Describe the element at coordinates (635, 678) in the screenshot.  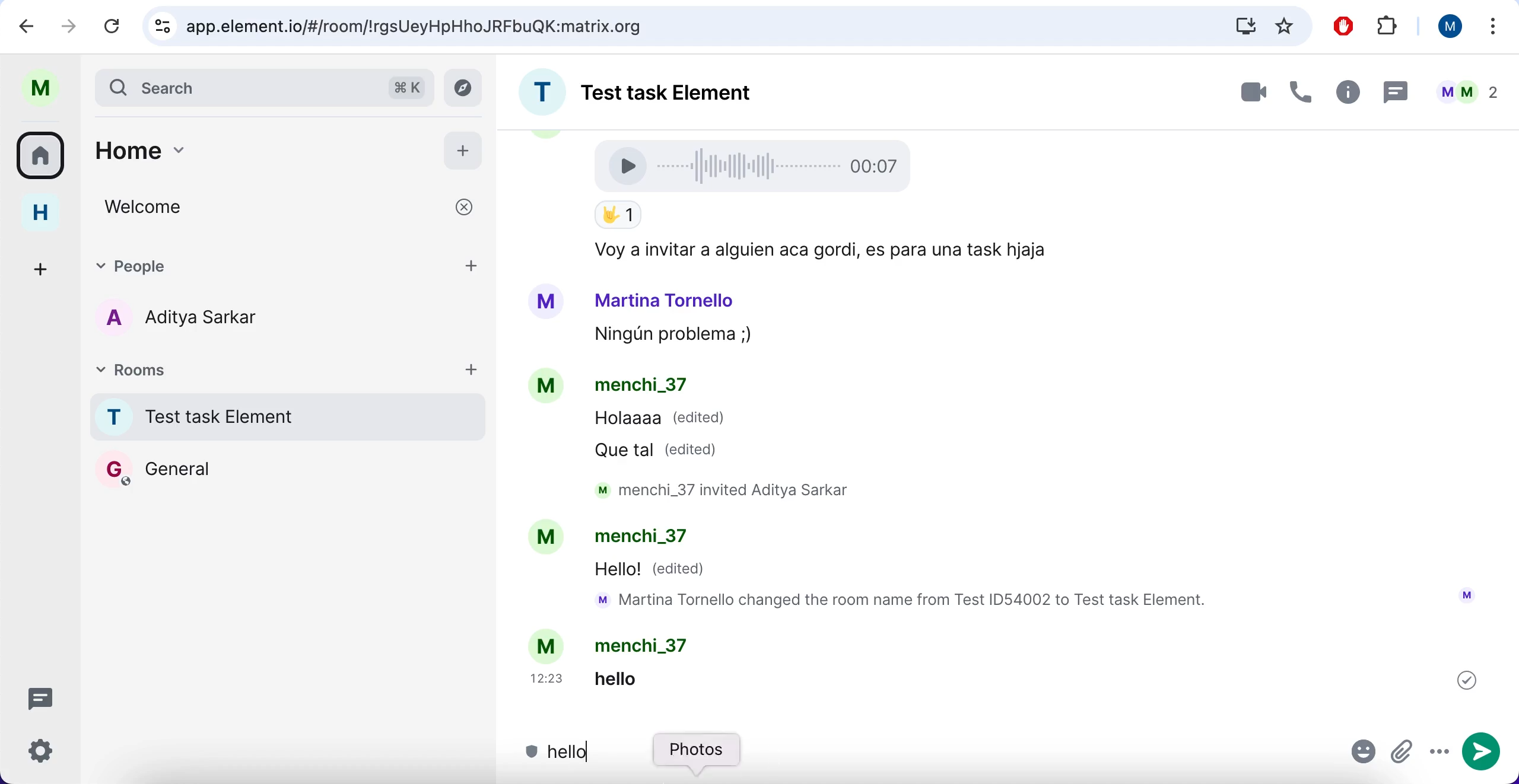
I see `helio` at that location.